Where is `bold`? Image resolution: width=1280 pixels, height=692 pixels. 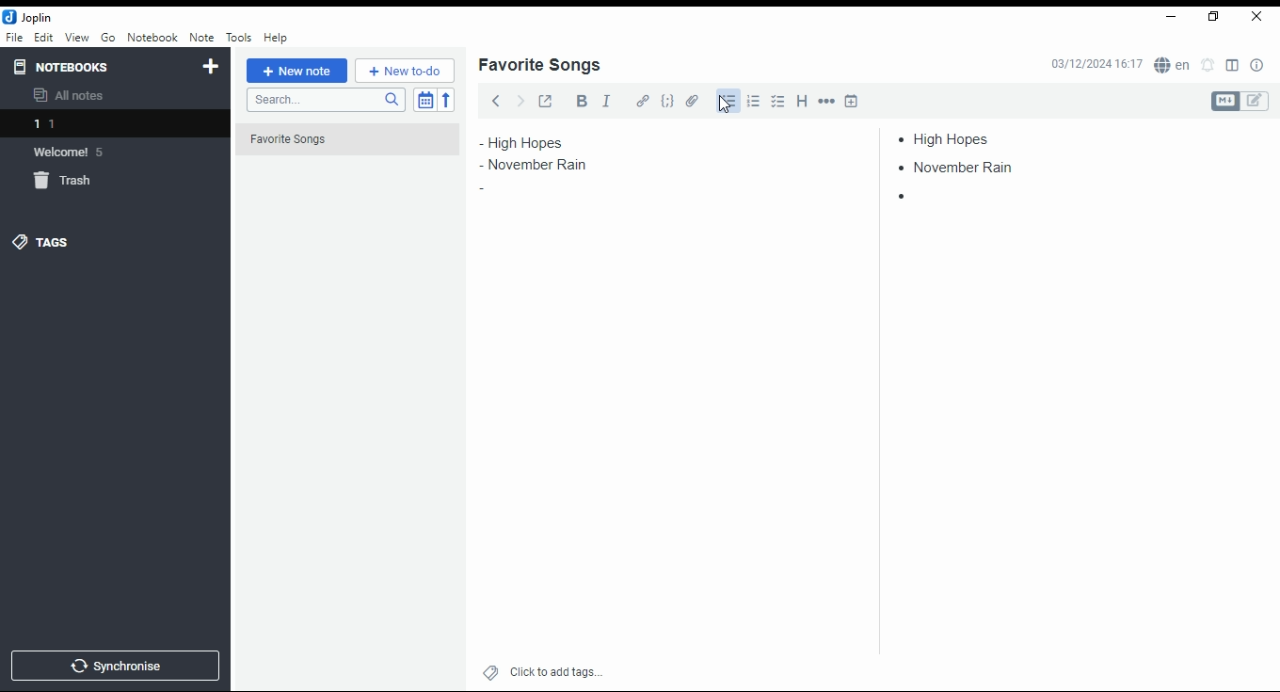 bold is located at coordinates (581, 101).